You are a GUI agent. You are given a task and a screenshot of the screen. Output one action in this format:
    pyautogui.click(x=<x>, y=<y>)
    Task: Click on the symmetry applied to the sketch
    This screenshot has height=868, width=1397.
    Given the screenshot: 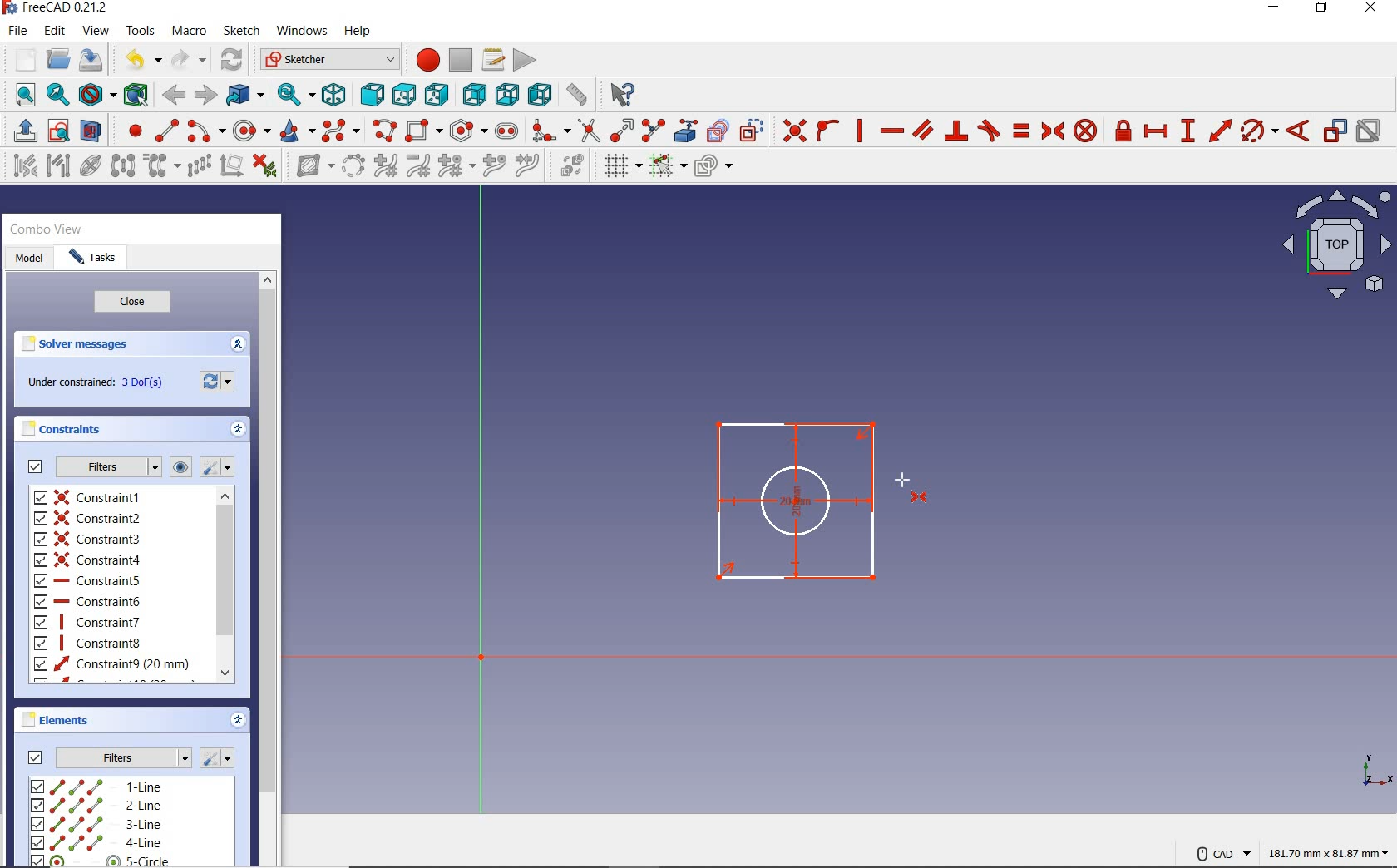 What is the action you would take?
    pyautogui.click(x=797, y=501)
    